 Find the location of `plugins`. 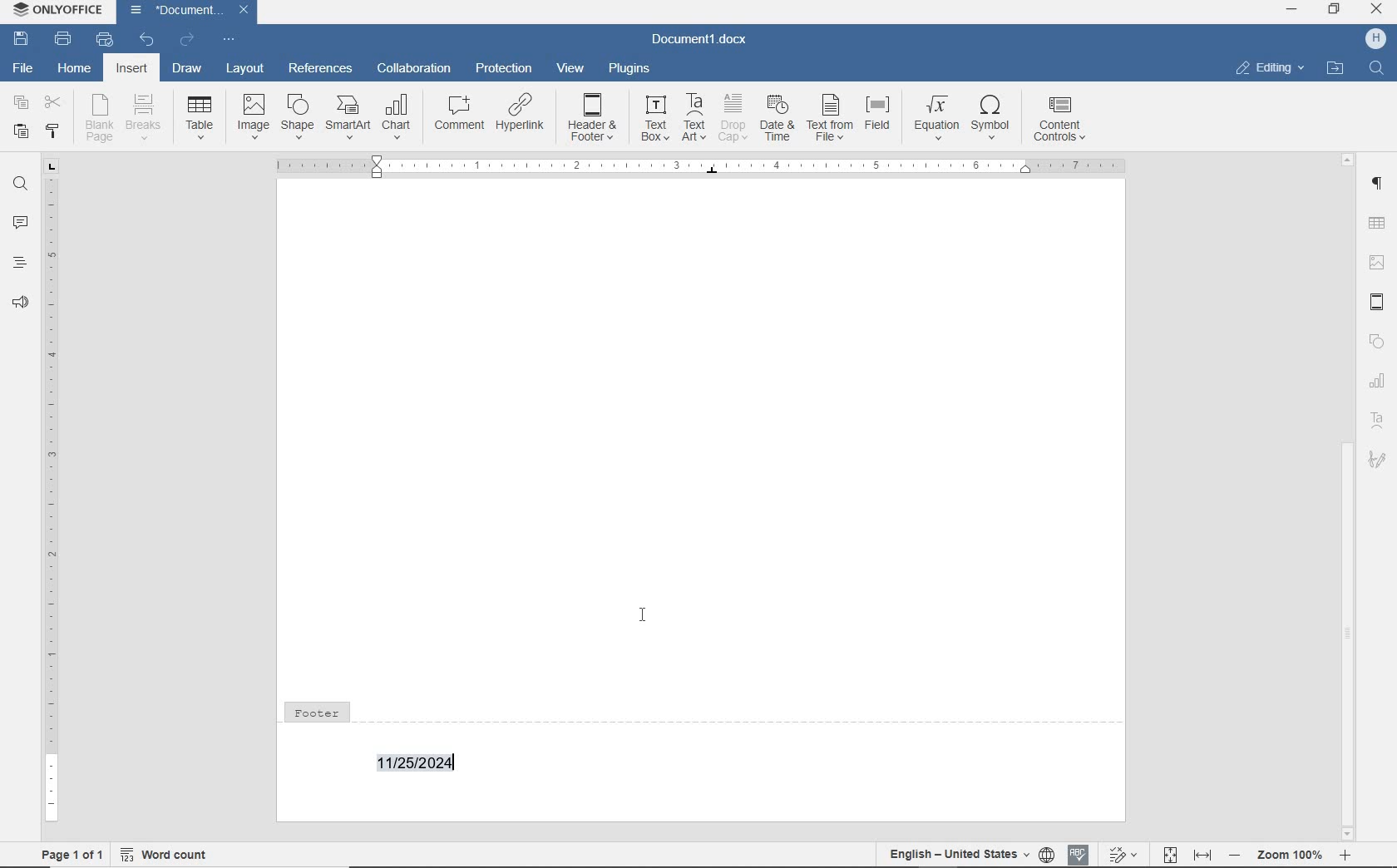

plugins is located at coordinates (631, 70).